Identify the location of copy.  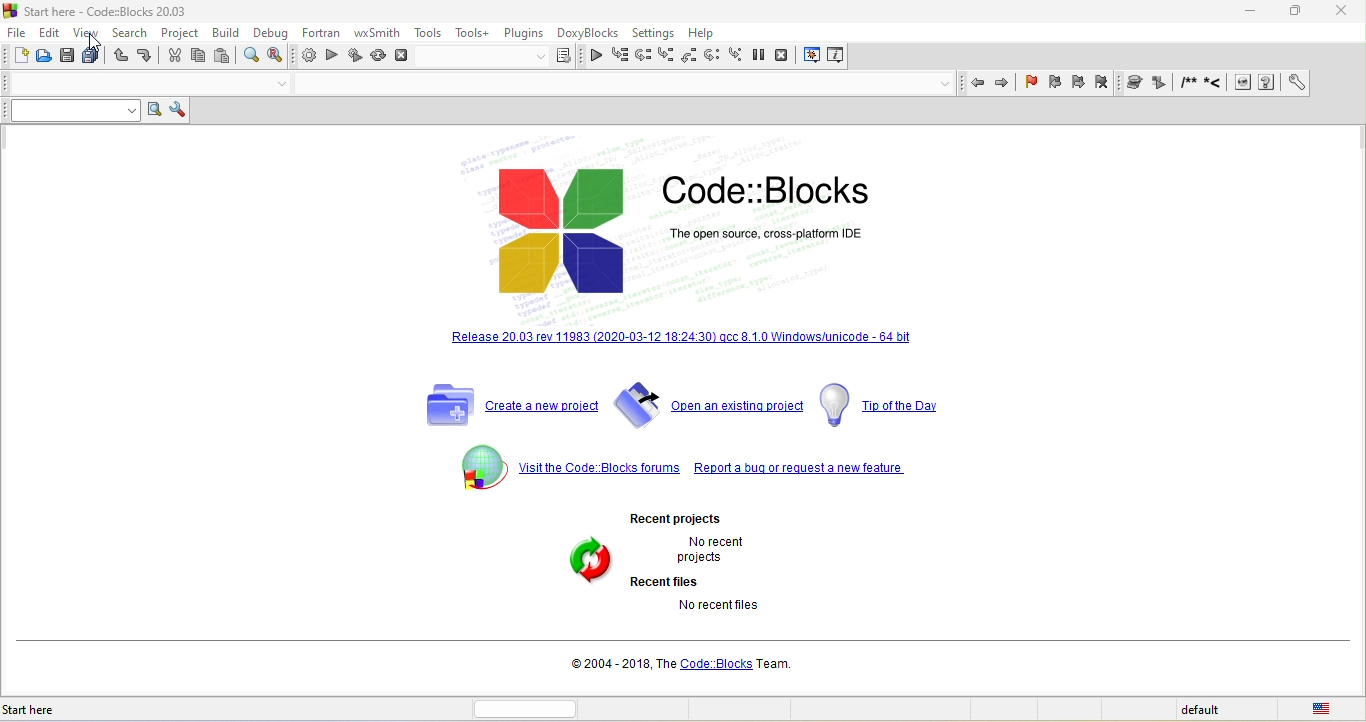
(199, 56).